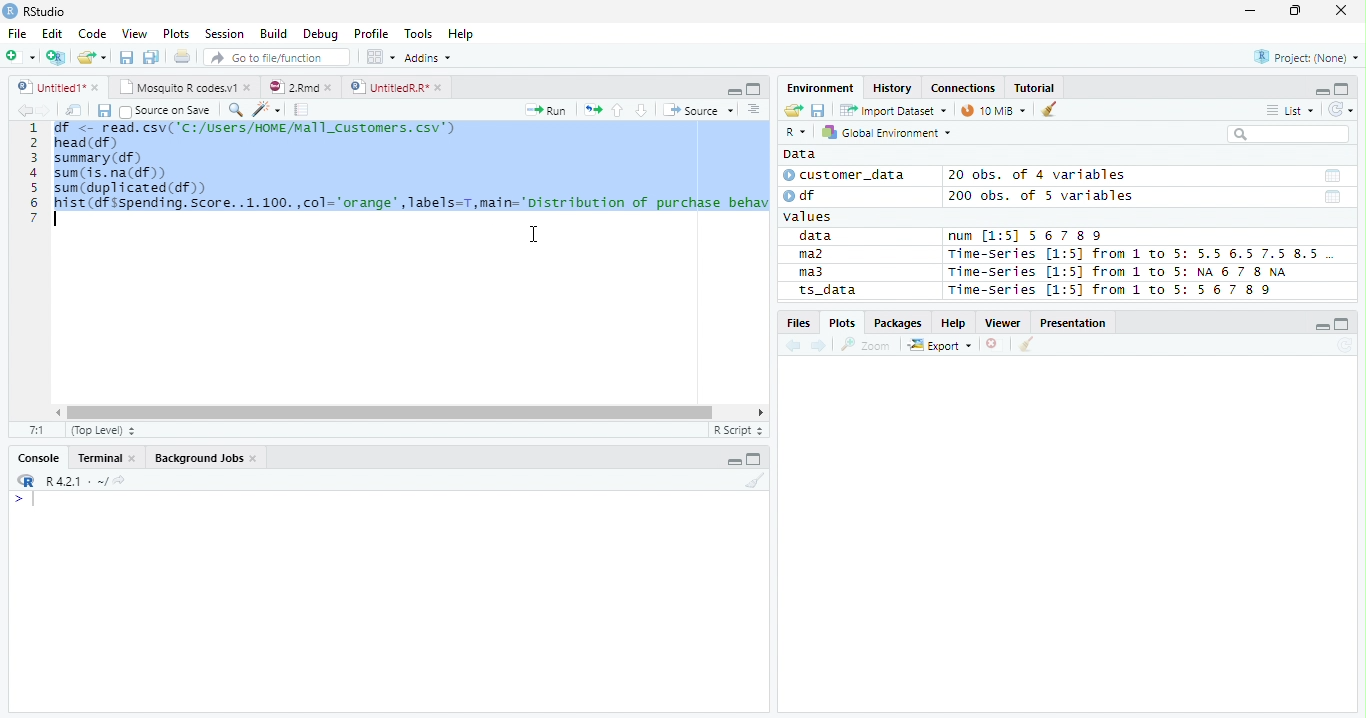 This screenshot has width=1366, height=718. What do you see at coordinates (1345, 346) in the screenshot?
I see `Refresh` at bounding box center [1345, 346].